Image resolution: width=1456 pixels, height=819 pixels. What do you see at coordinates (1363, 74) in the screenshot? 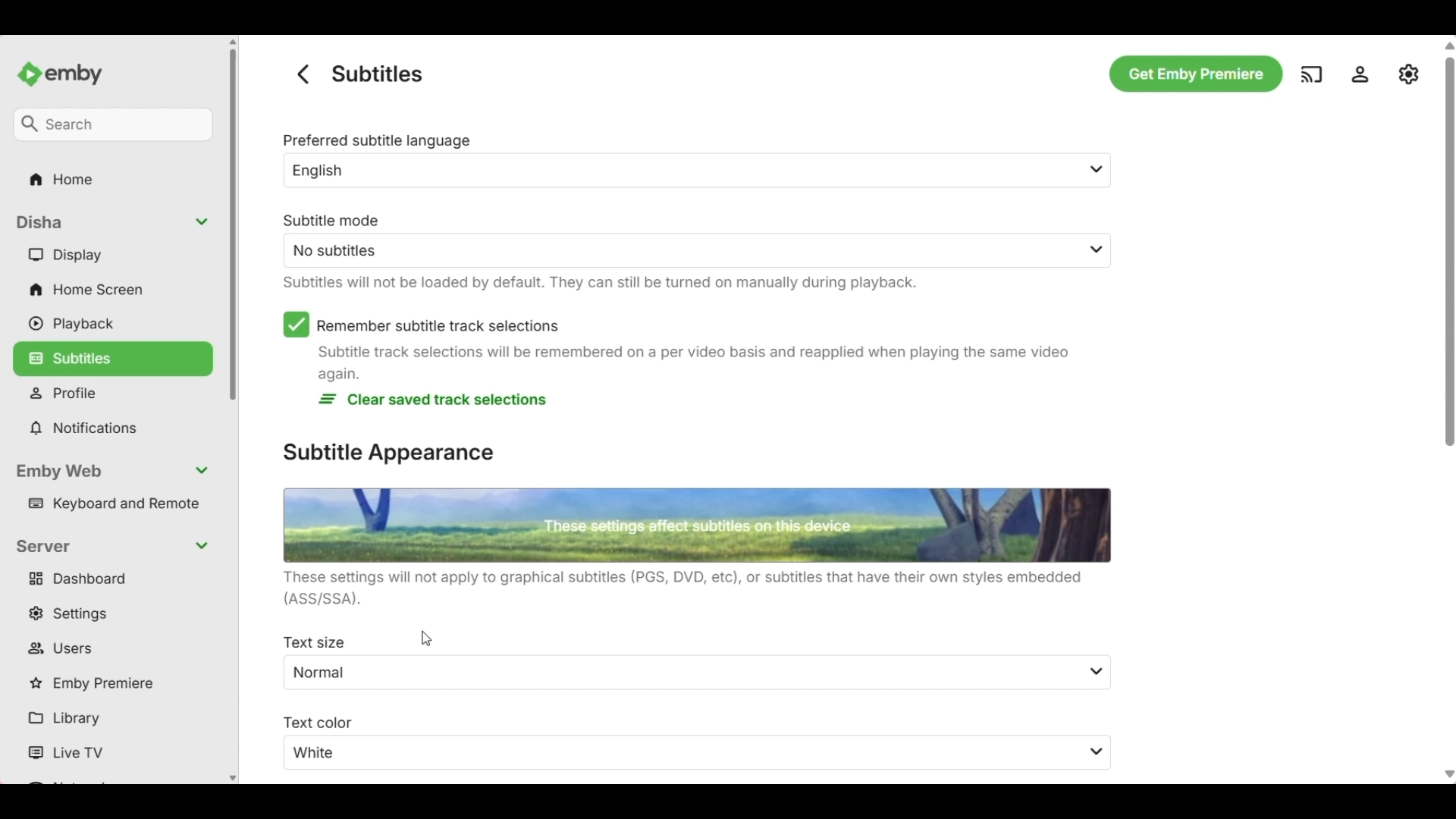
I see `` at bounding box center [1363, 74].